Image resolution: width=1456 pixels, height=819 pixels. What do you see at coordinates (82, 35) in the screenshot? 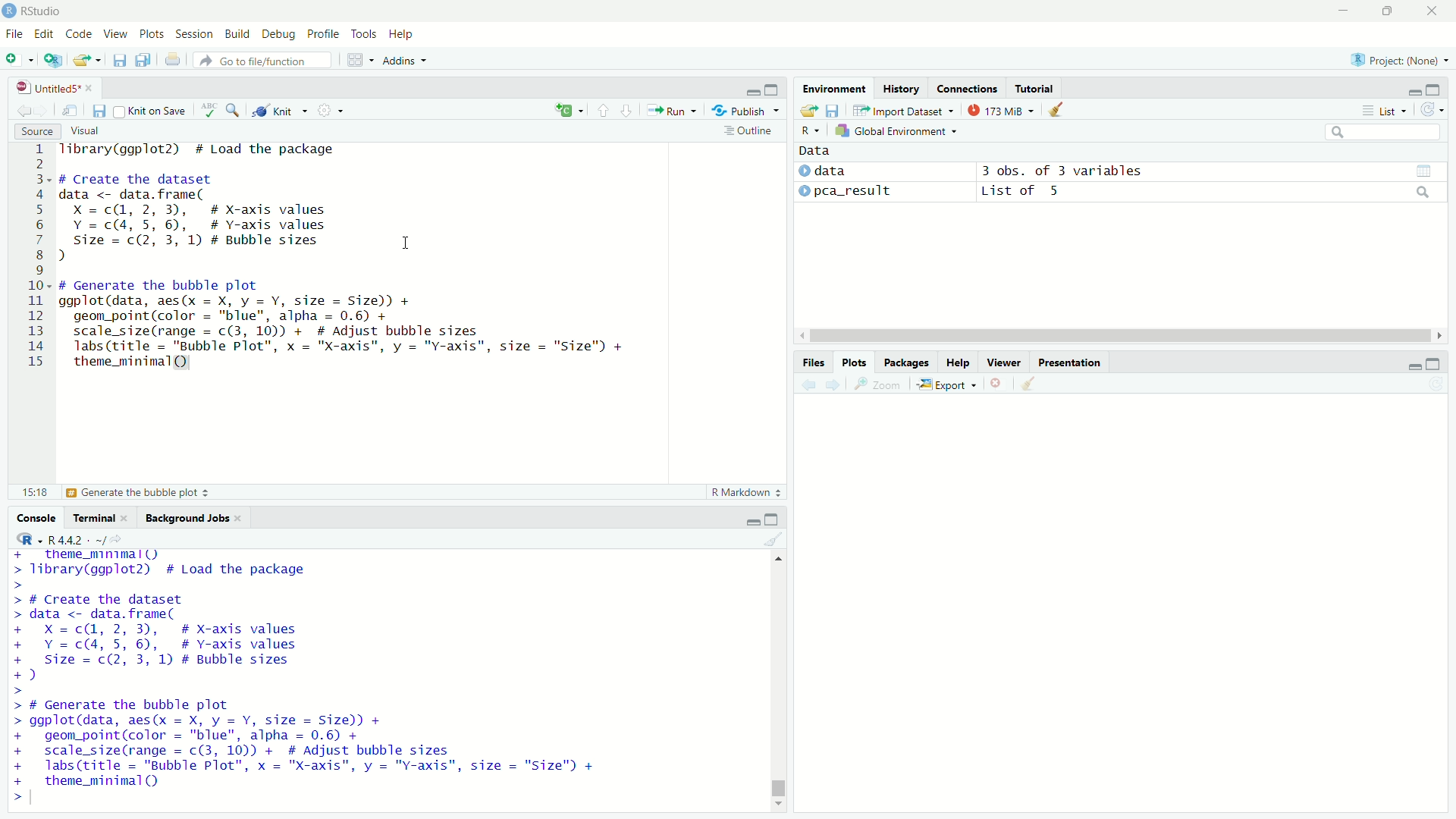
I see `Code` at bounding box center [82, 35].